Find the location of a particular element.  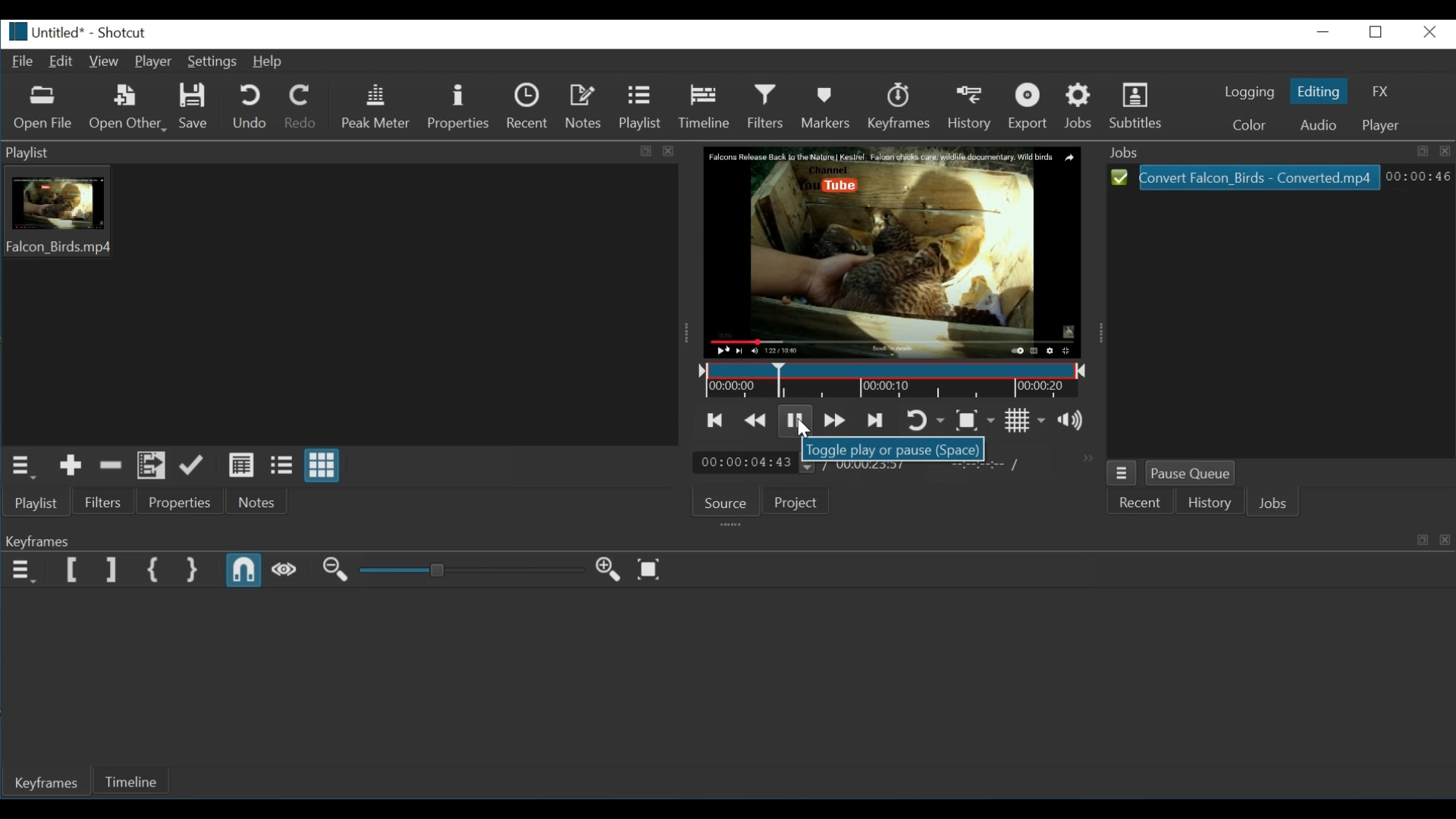

Properties is located at coordinates (179, 502).